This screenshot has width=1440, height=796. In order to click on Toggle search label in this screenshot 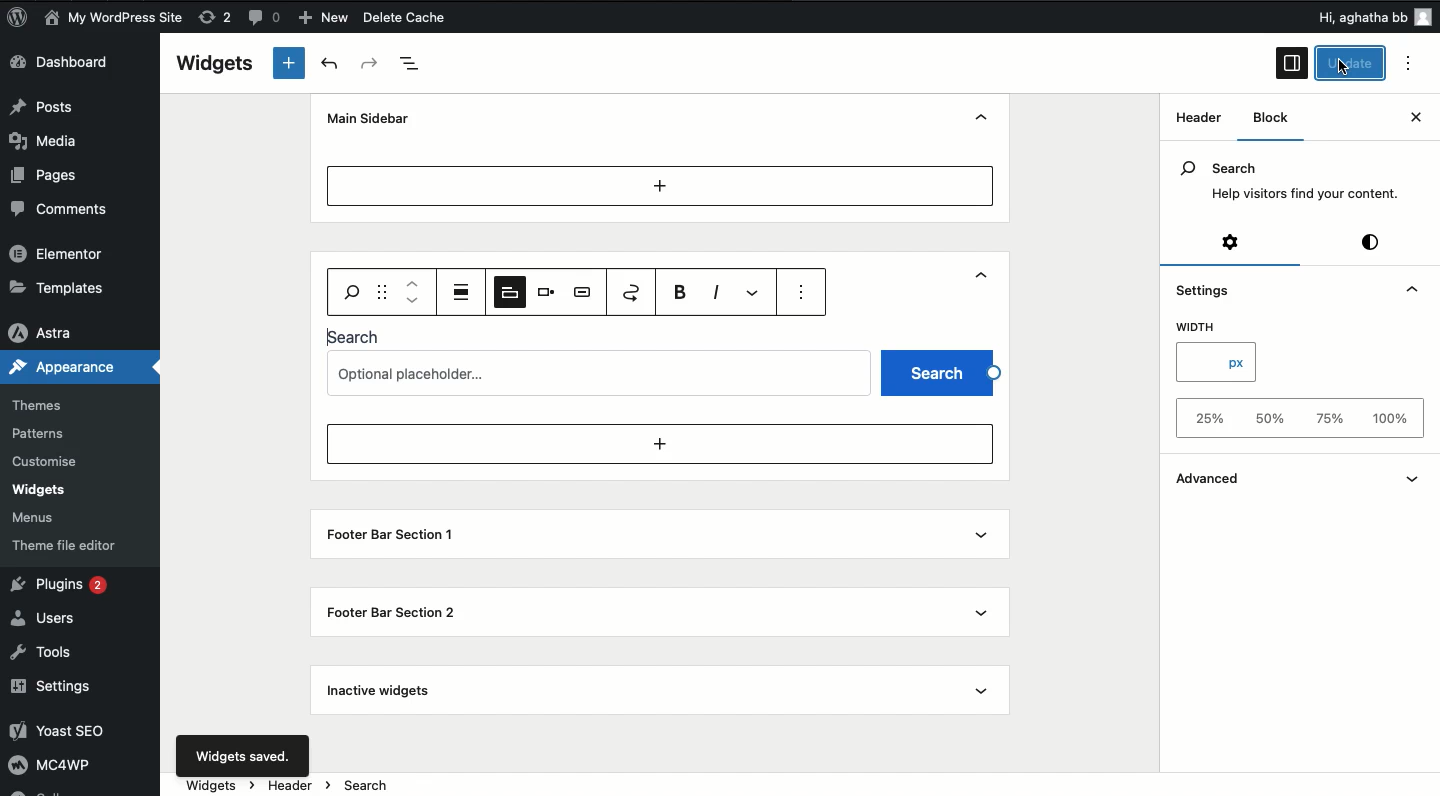, I will do `click(508, 291)`.